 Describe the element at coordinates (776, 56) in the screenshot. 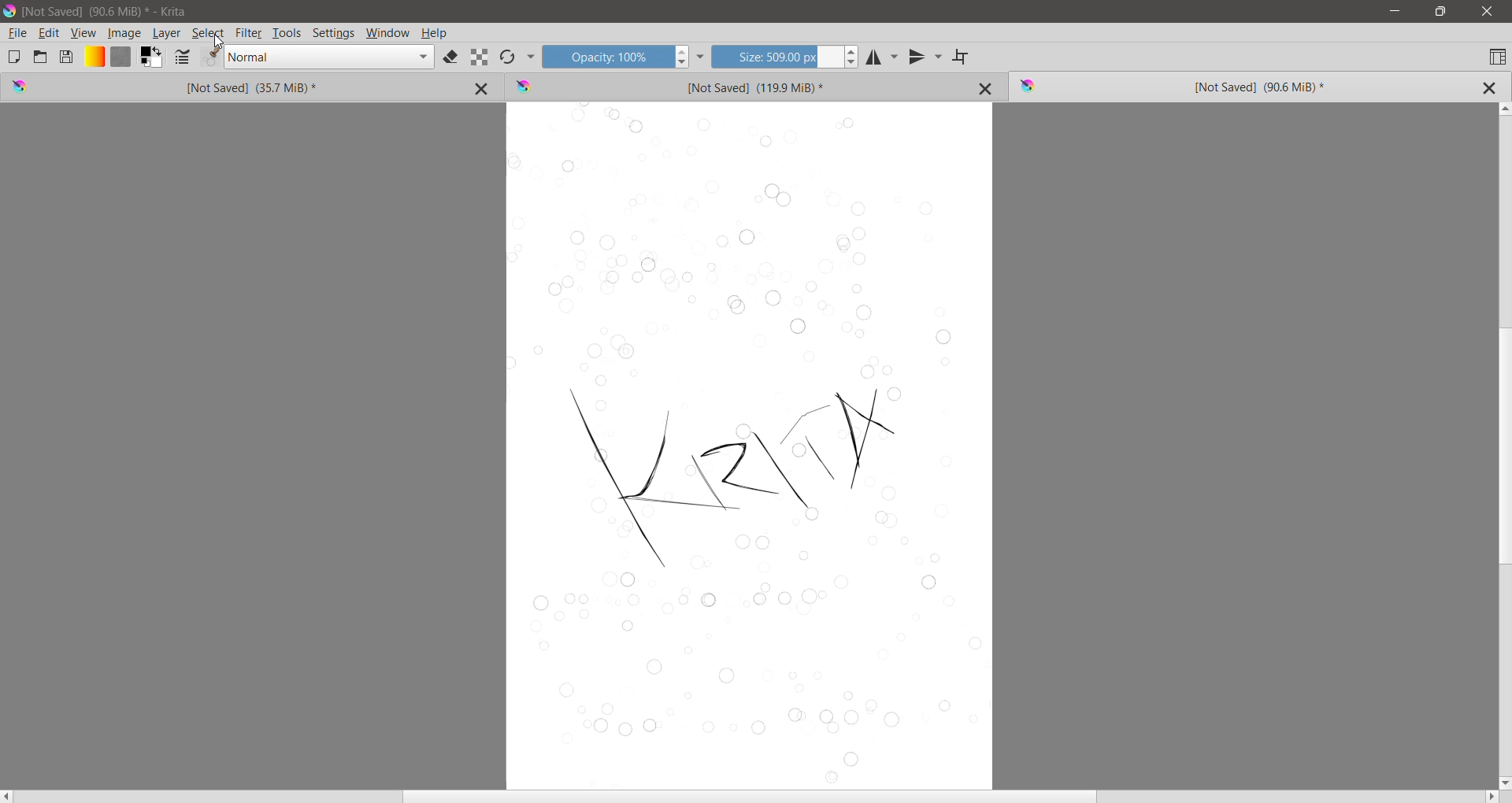

I see `Size input ` at that location.